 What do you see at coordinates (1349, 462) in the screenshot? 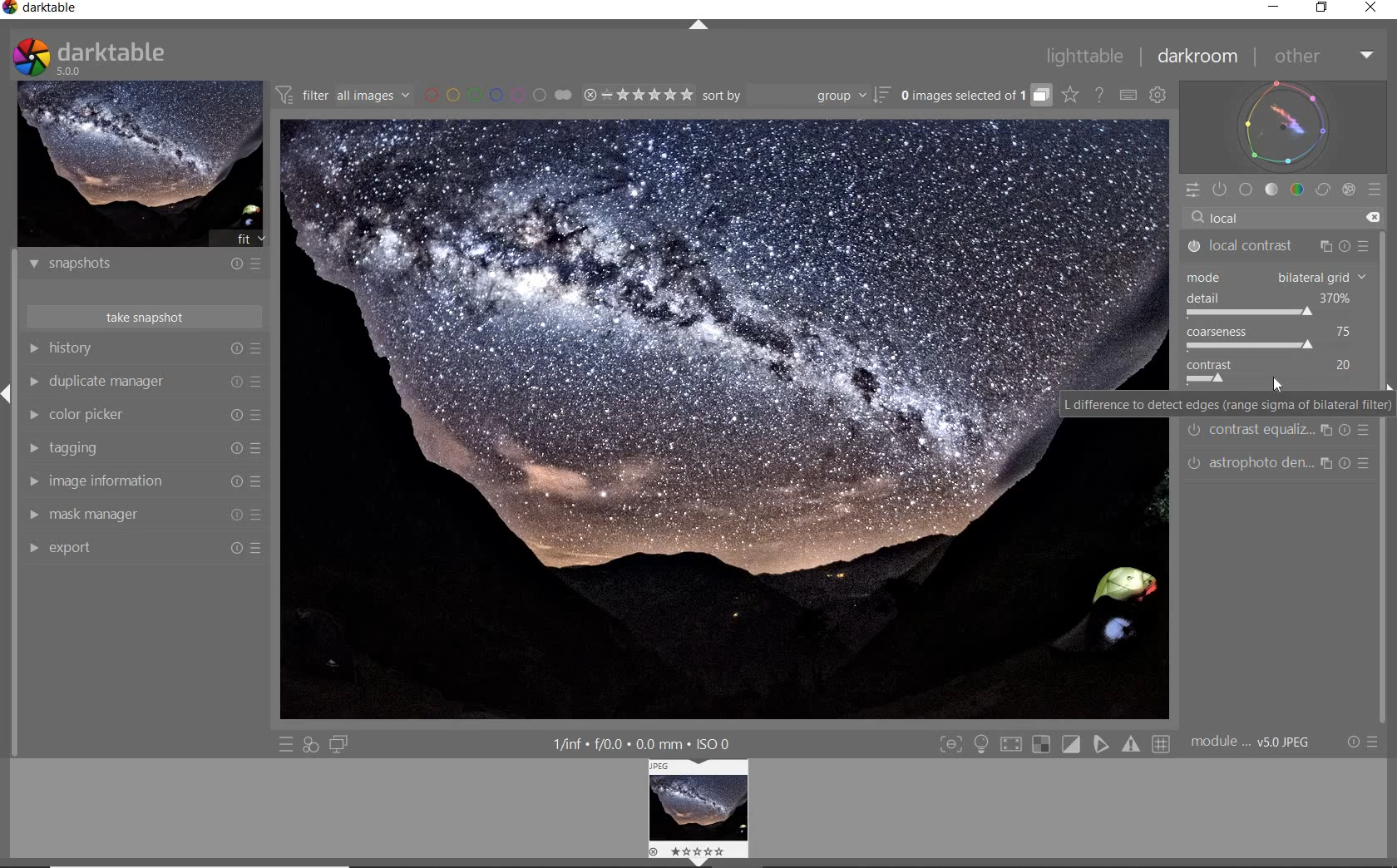
I see `reset parameters` at bounding box center [1349, 462].